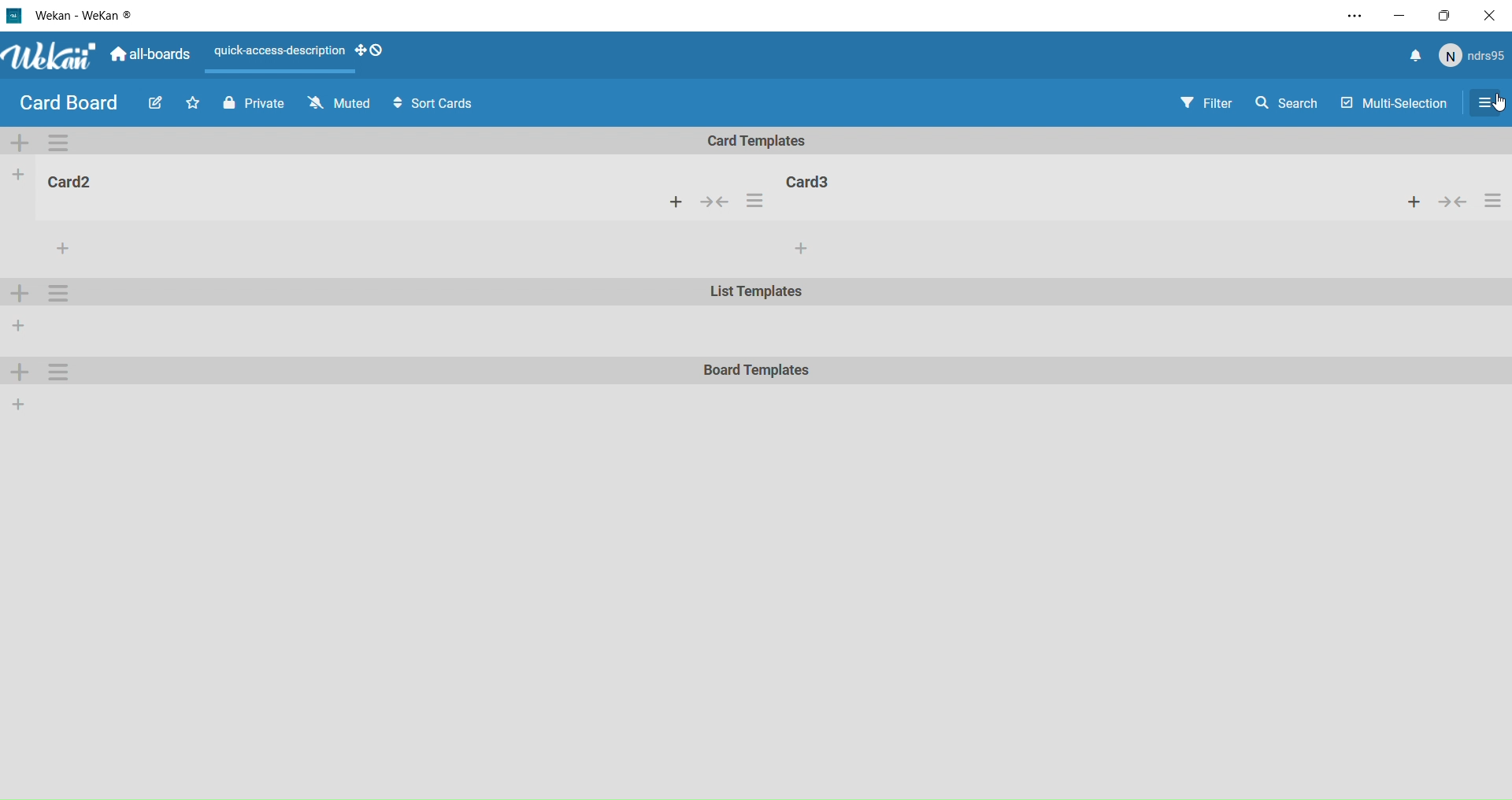 Image resolution: width=1512 pixels, height=800 pixels. What do you see at coordinates (676, 203) in the screenshot?
I see `add` at bounding box center [676, 203].